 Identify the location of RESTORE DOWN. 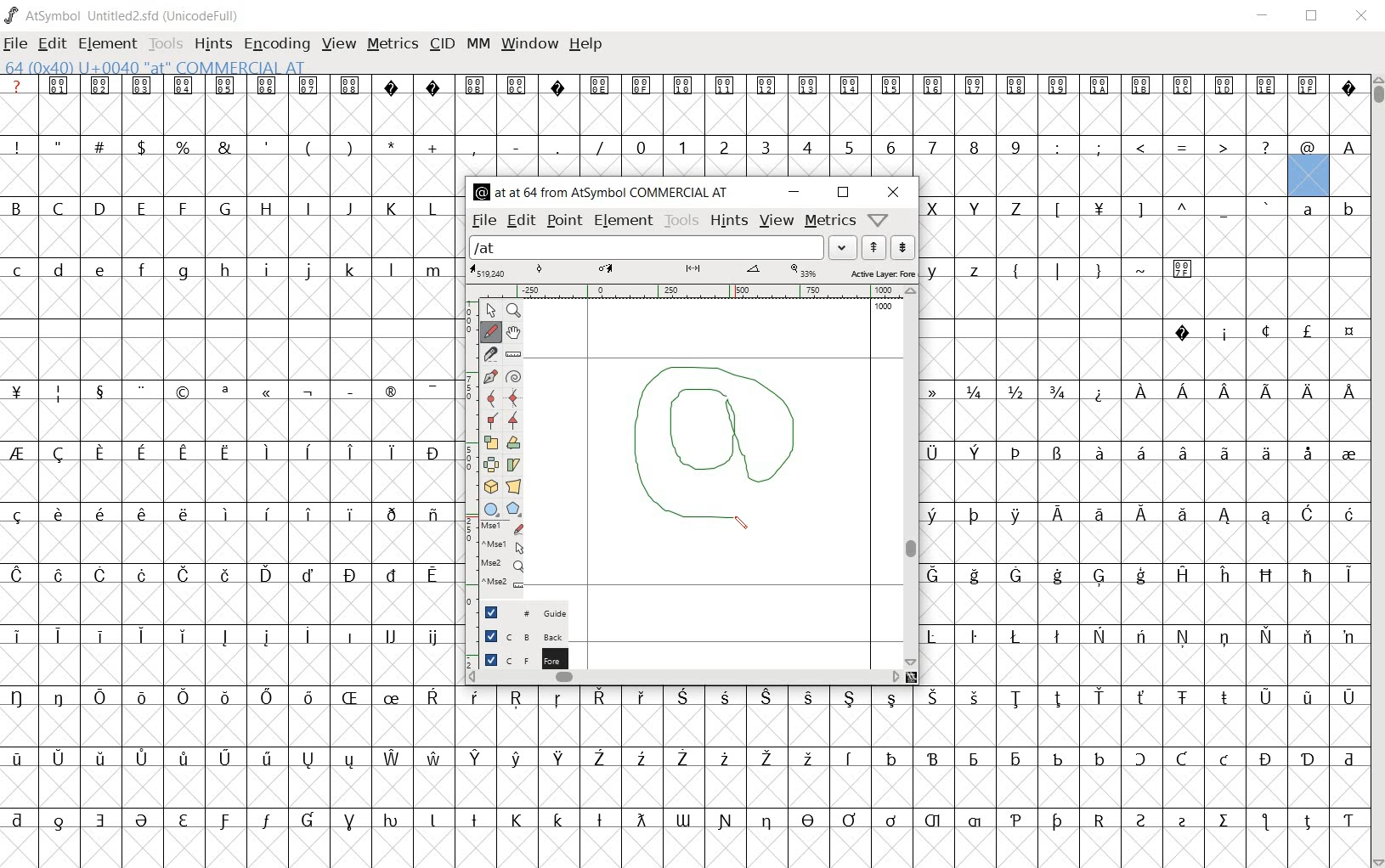
(1314, 19).